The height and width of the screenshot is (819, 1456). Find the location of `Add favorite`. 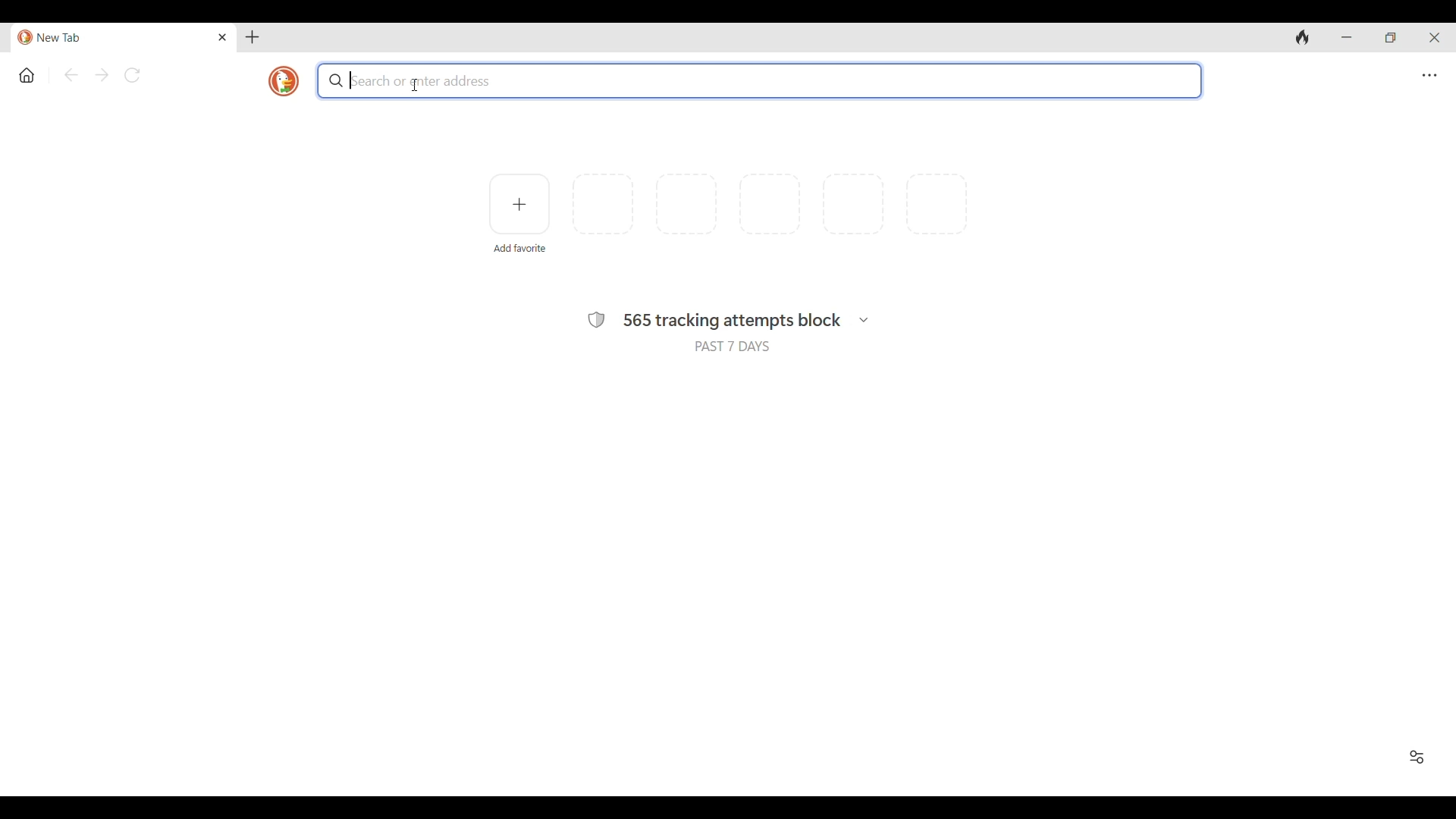

Add favorite is located at coordinates (520, 249).